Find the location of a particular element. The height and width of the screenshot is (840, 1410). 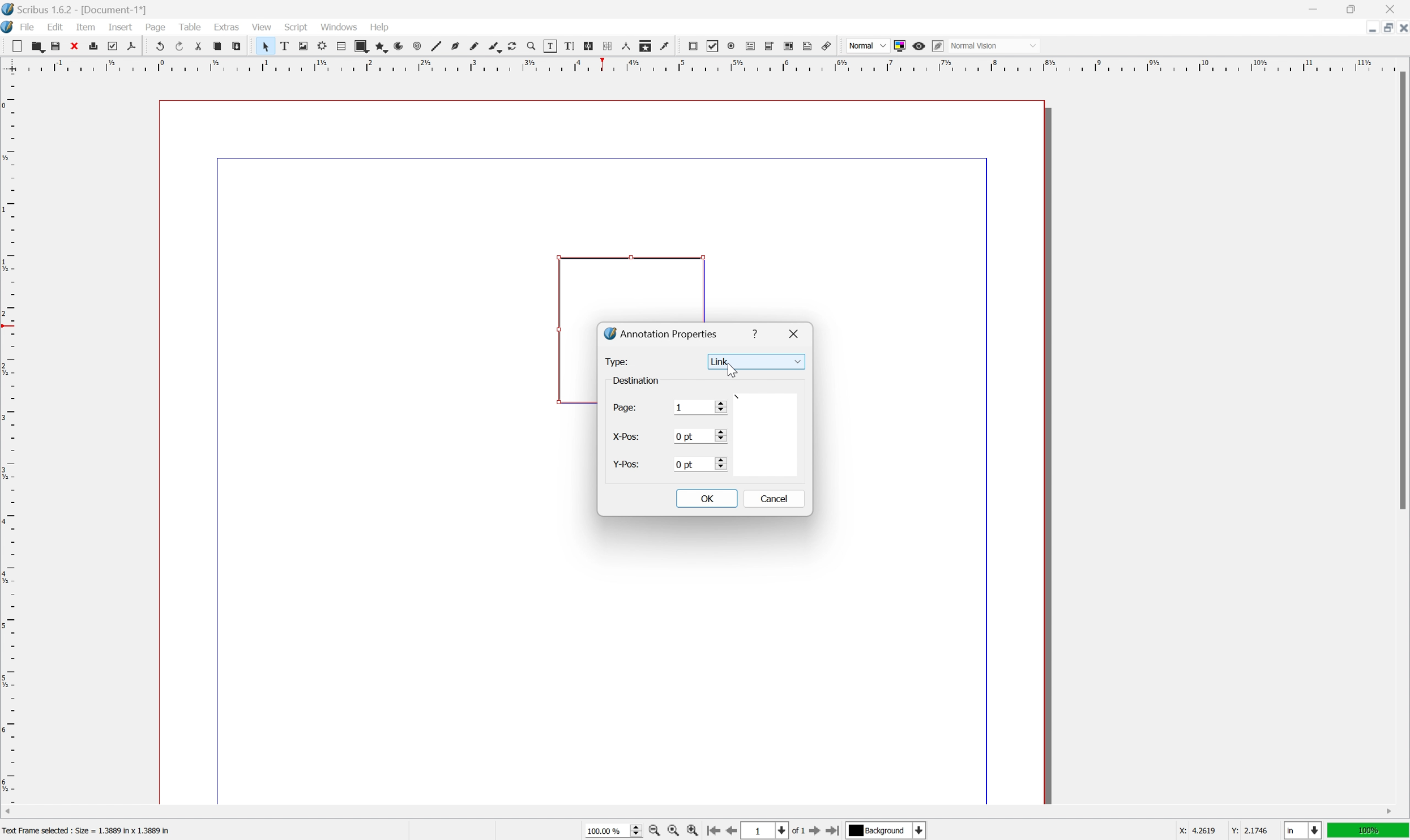

select current unit is located at coordinates (1302, 830).